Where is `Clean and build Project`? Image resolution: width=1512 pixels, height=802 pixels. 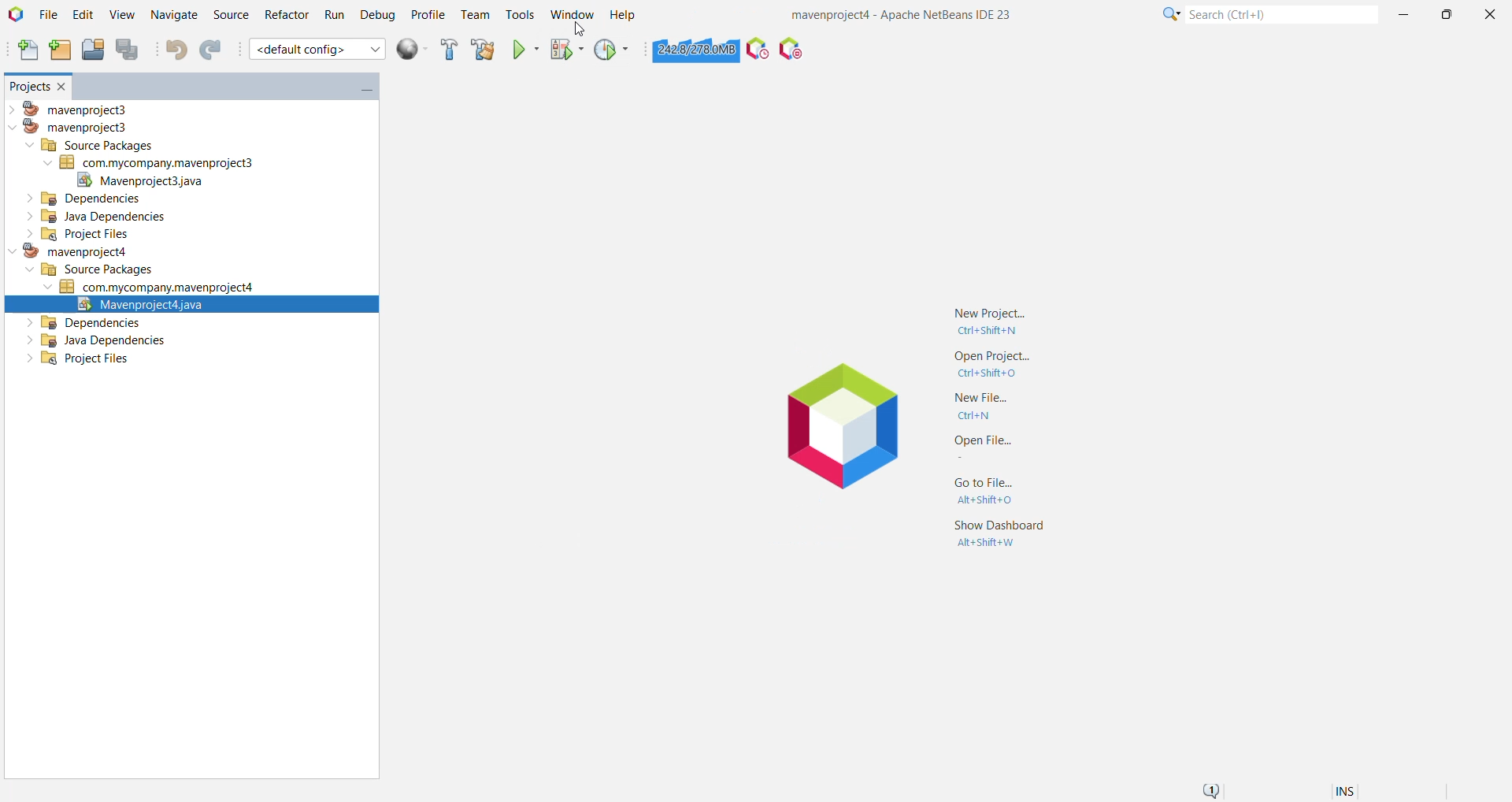
Clean and build Project is located at coordinates (482, 50).